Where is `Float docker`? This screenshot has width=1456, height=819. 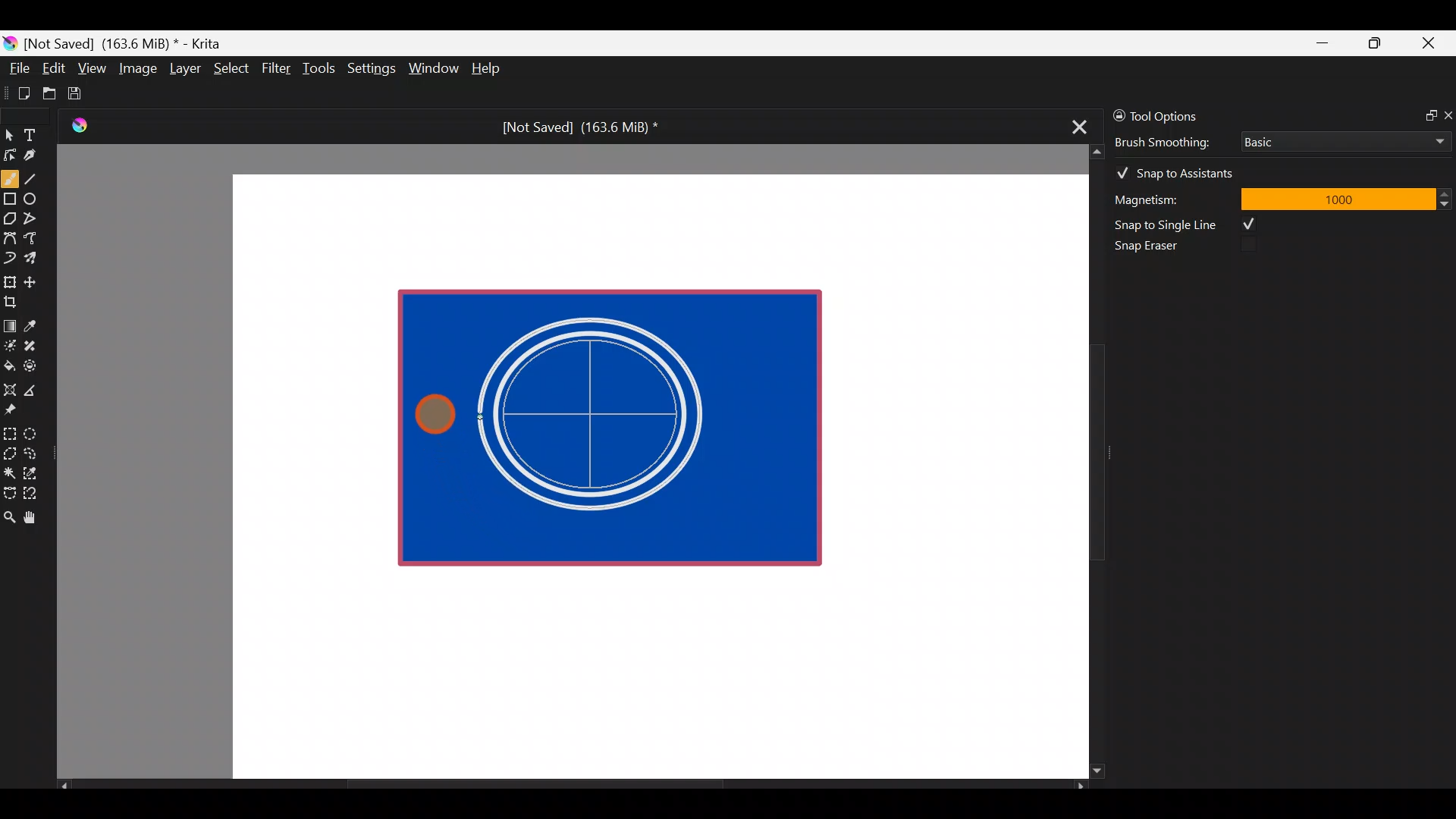
Float docker is located at coordinates (1424, 114).